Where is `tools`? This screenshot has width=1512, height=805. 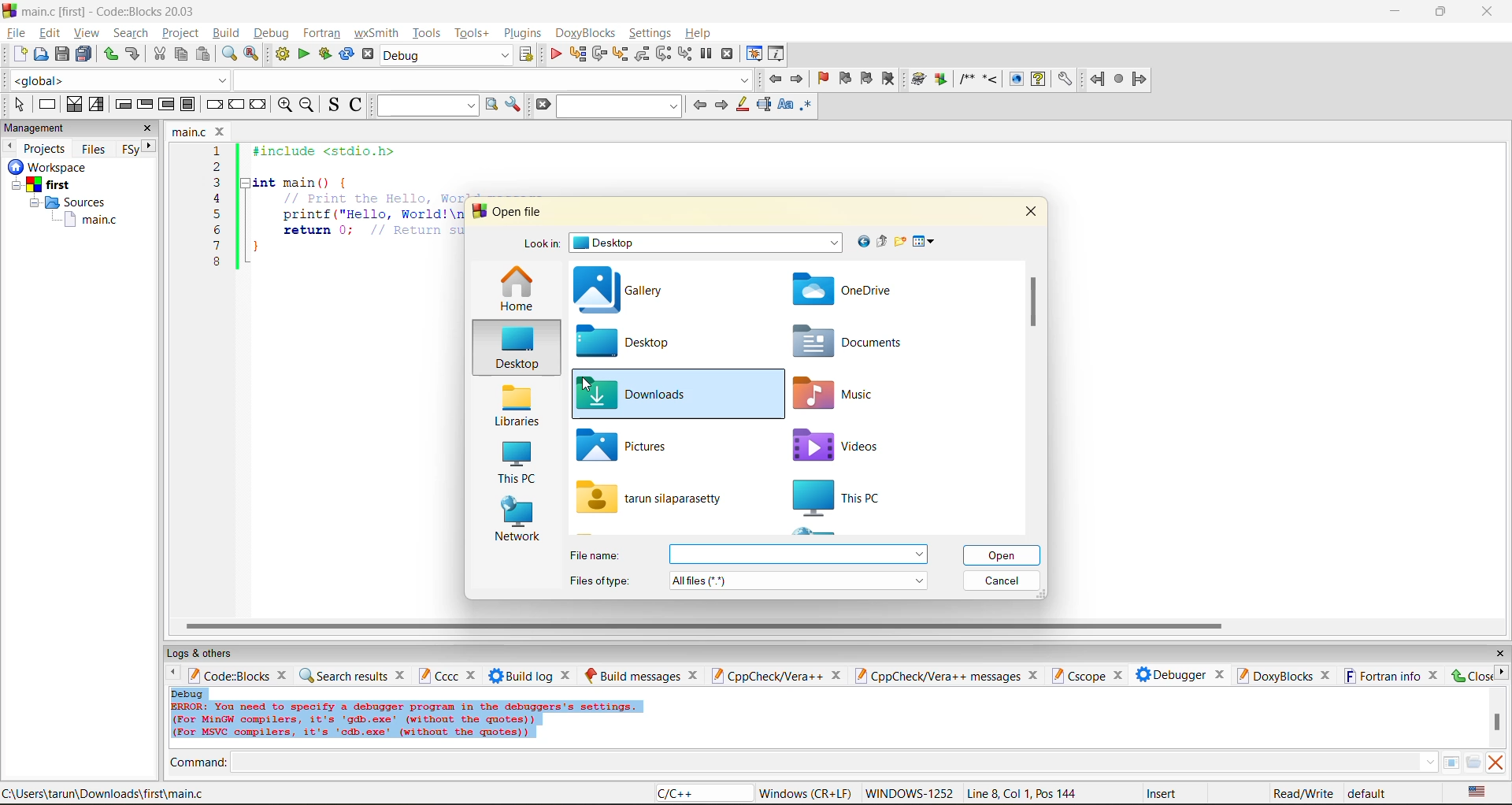 tools is located at coordinates (428, 32).